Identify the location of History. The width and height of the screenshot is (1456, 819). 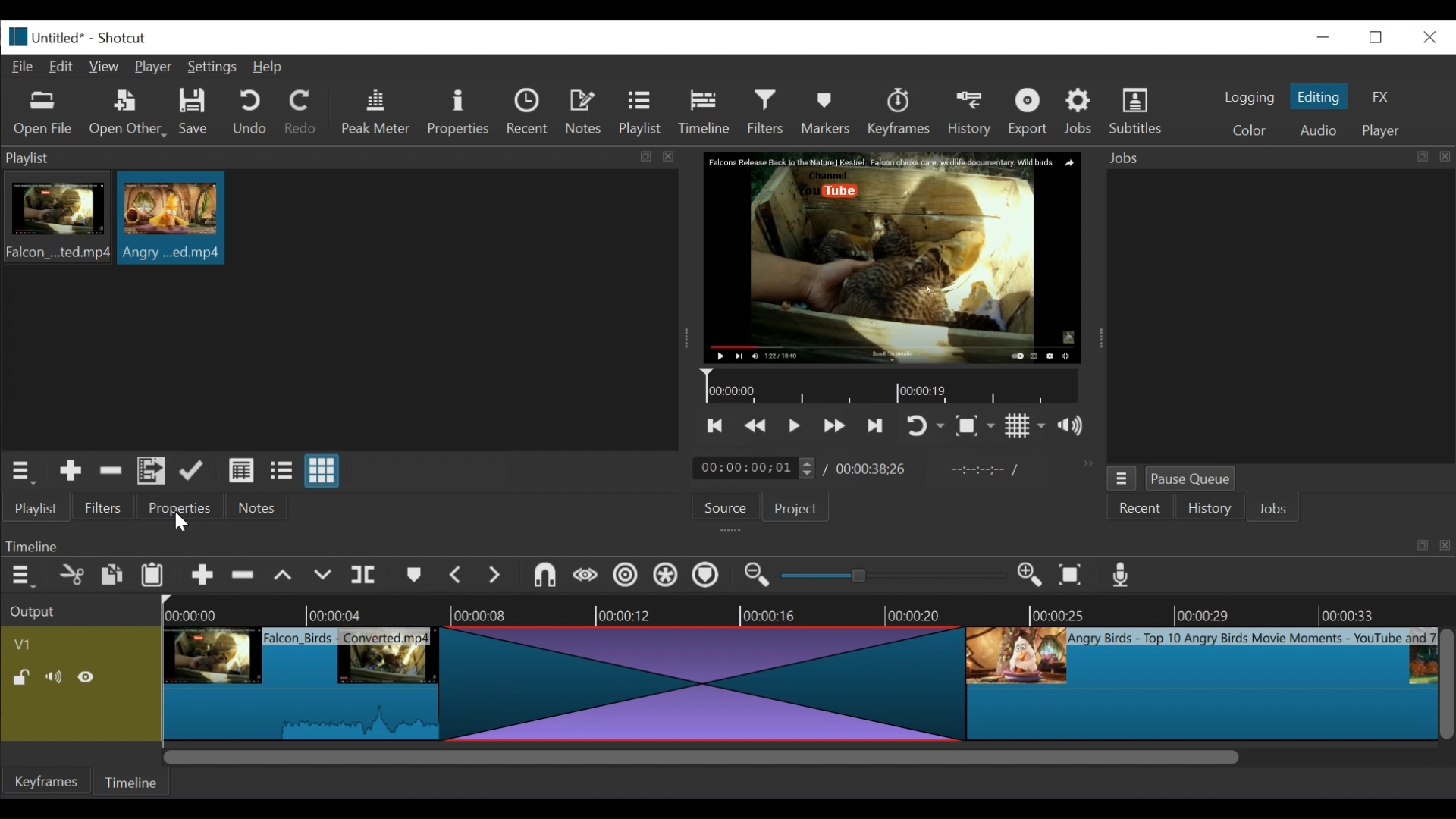
(1210, 510).